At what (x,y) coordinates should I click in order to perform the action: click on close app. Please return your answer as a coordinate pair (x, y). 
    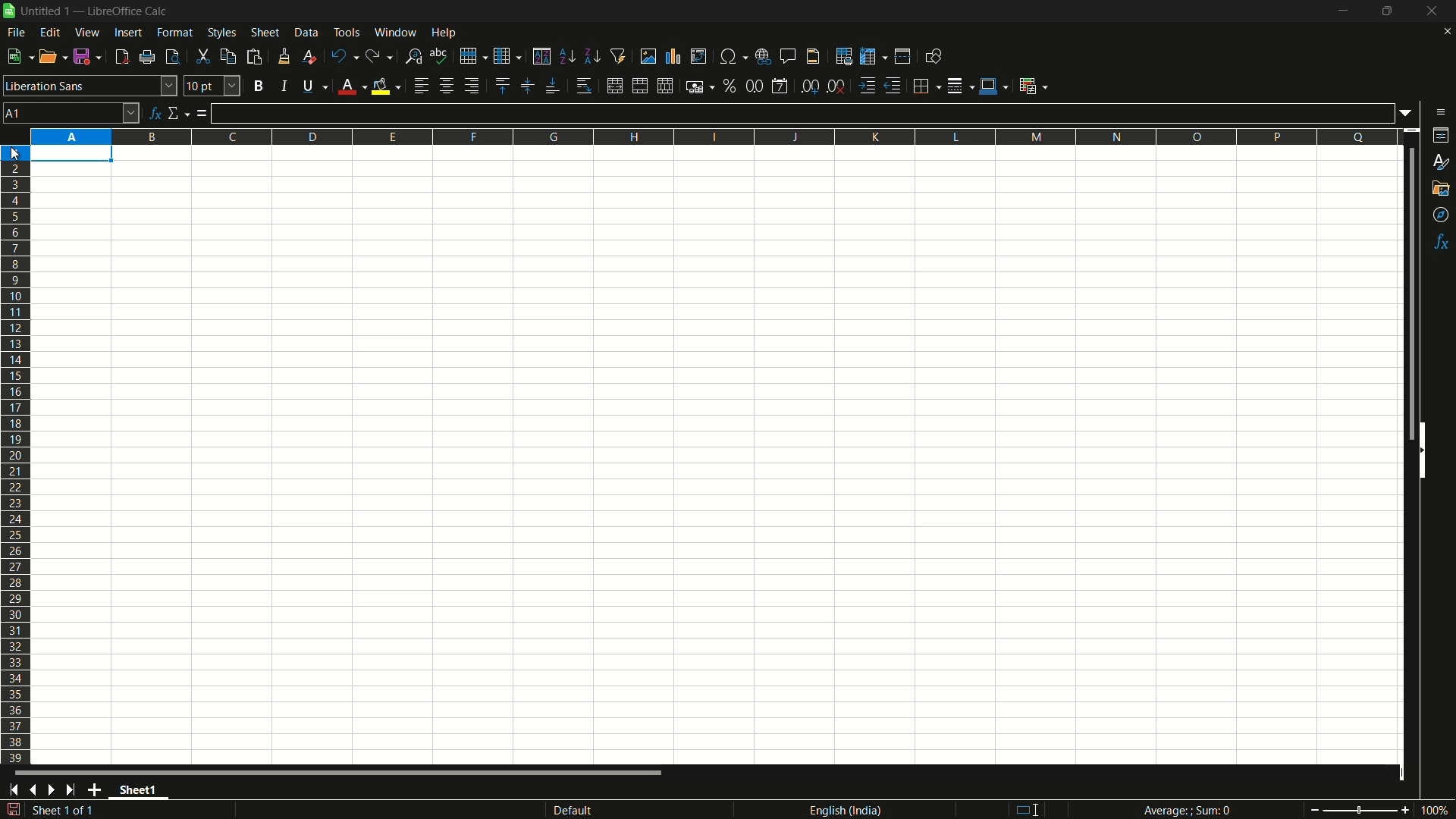
    Looking at the image, I should click on (1428, 11).